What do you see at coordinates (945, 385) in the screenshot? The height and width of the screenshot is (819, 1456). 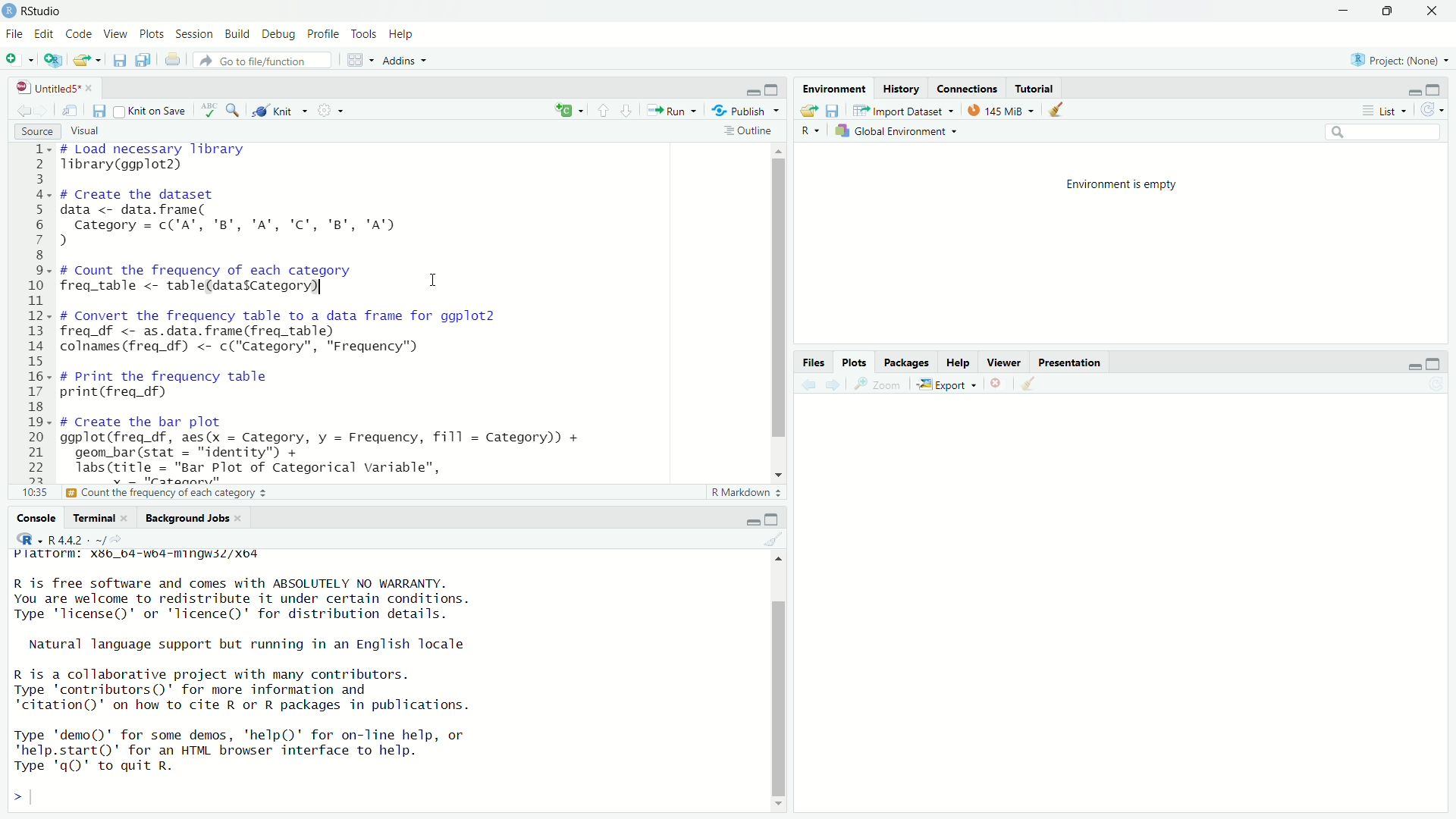 I see `export` at bounding box center [945, 385].